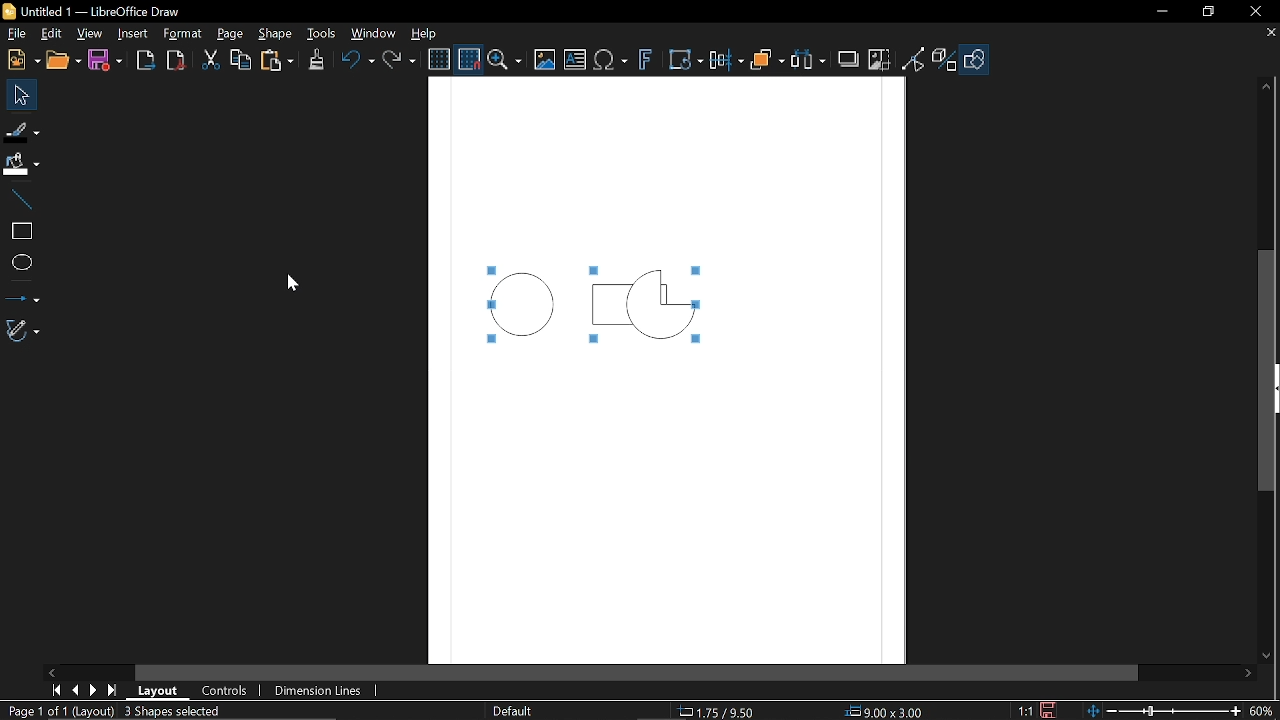  Describe the element at coordinates (708, 272) in the screenshot. I see `Tiny square marked around the selected objects` at that location.